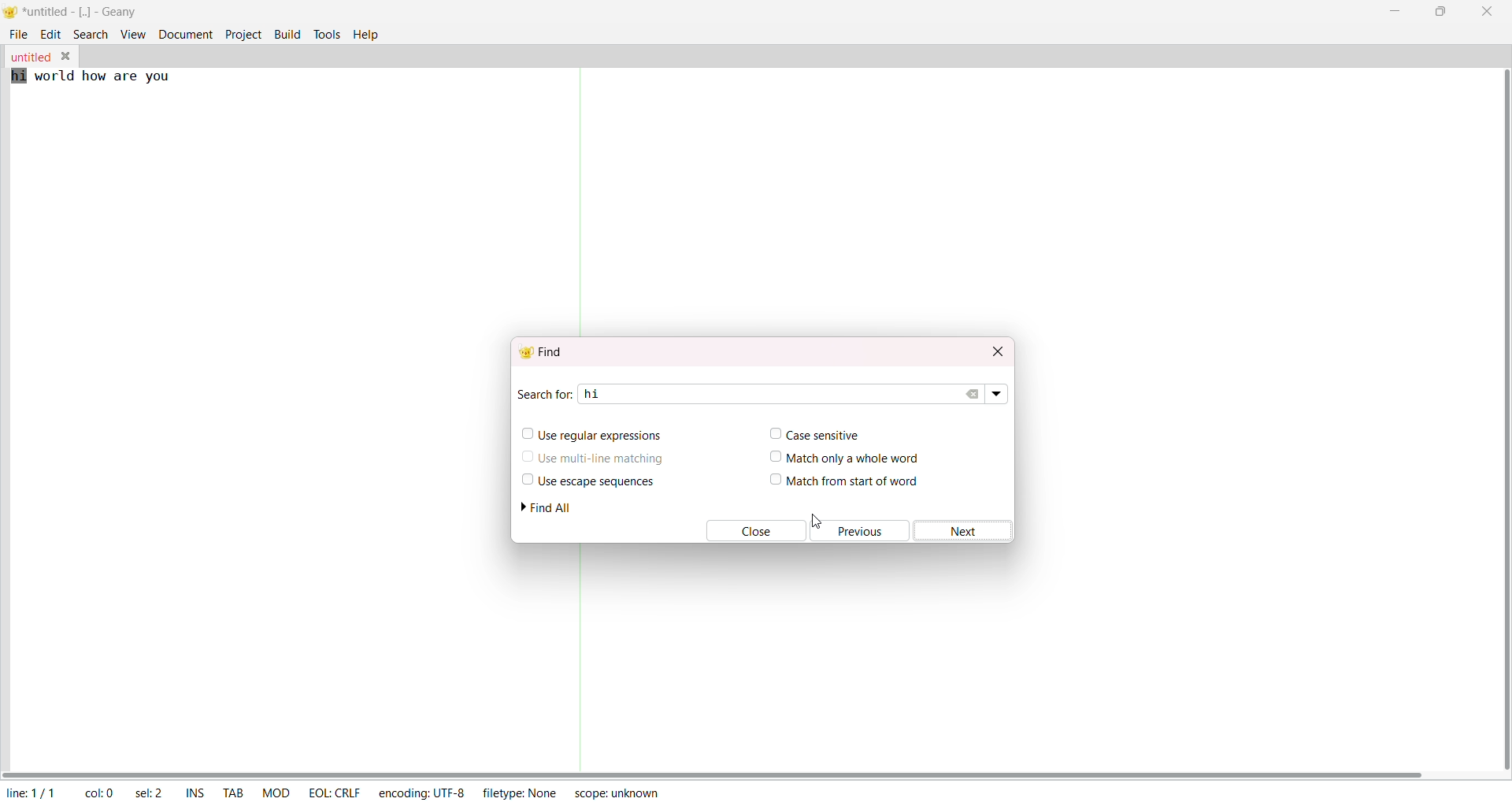 The height and width of the screenshot is (802, 1512). What do you see at coordinates (31, 793) in the screenshot?
I see `line: 1/1` at bounding box center [31, 793].